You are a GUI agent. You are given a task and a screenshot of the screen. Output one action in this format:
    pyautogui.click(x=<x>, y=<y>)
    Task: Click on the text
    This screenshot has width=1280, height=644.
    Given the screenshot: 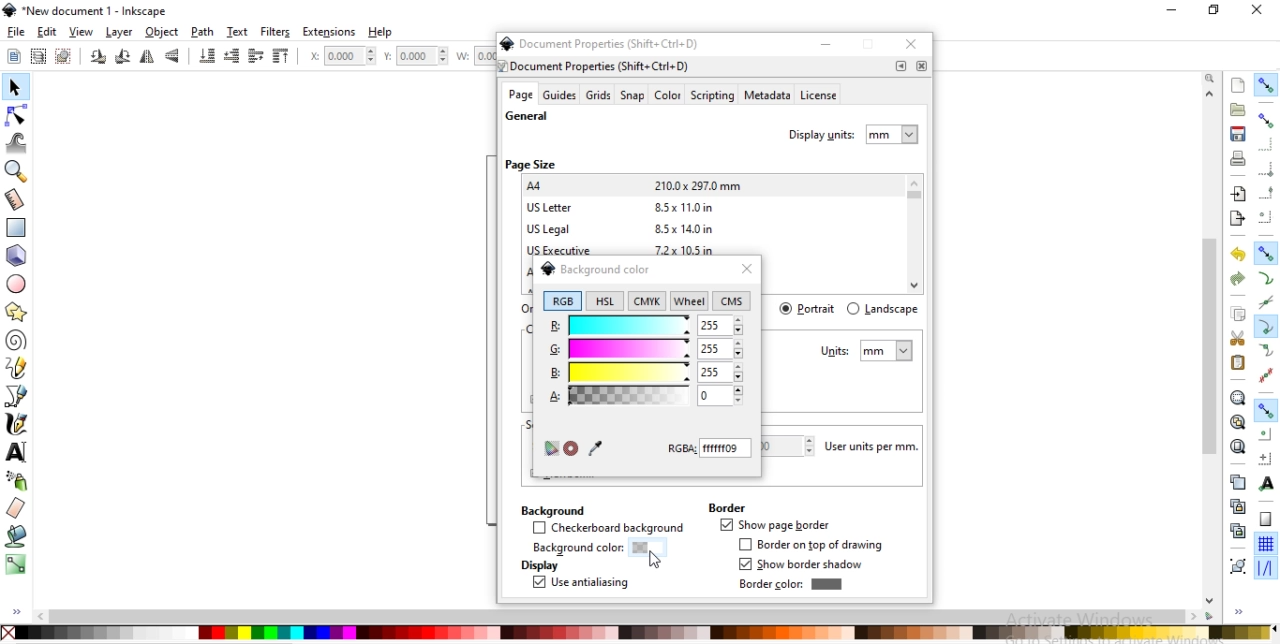 What is the action you would take?
    pyautogui.click(x=239, y=32)
    